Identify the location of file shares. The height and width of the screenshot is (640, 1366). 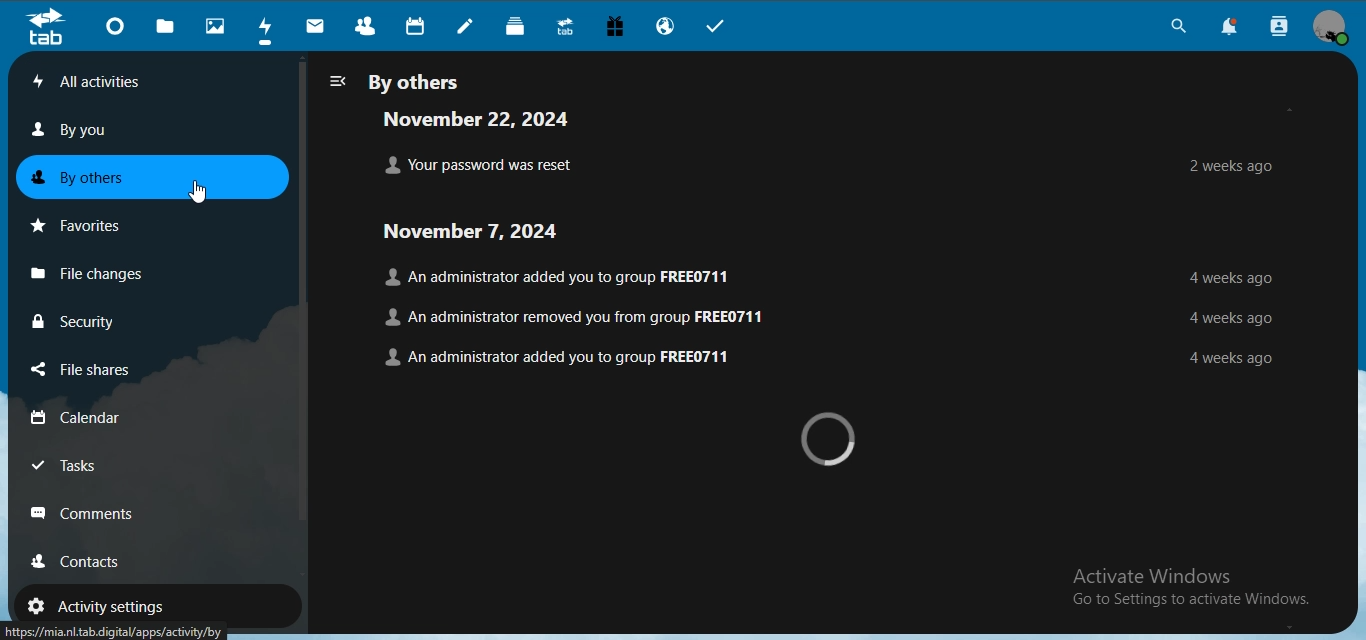
(90, 370).